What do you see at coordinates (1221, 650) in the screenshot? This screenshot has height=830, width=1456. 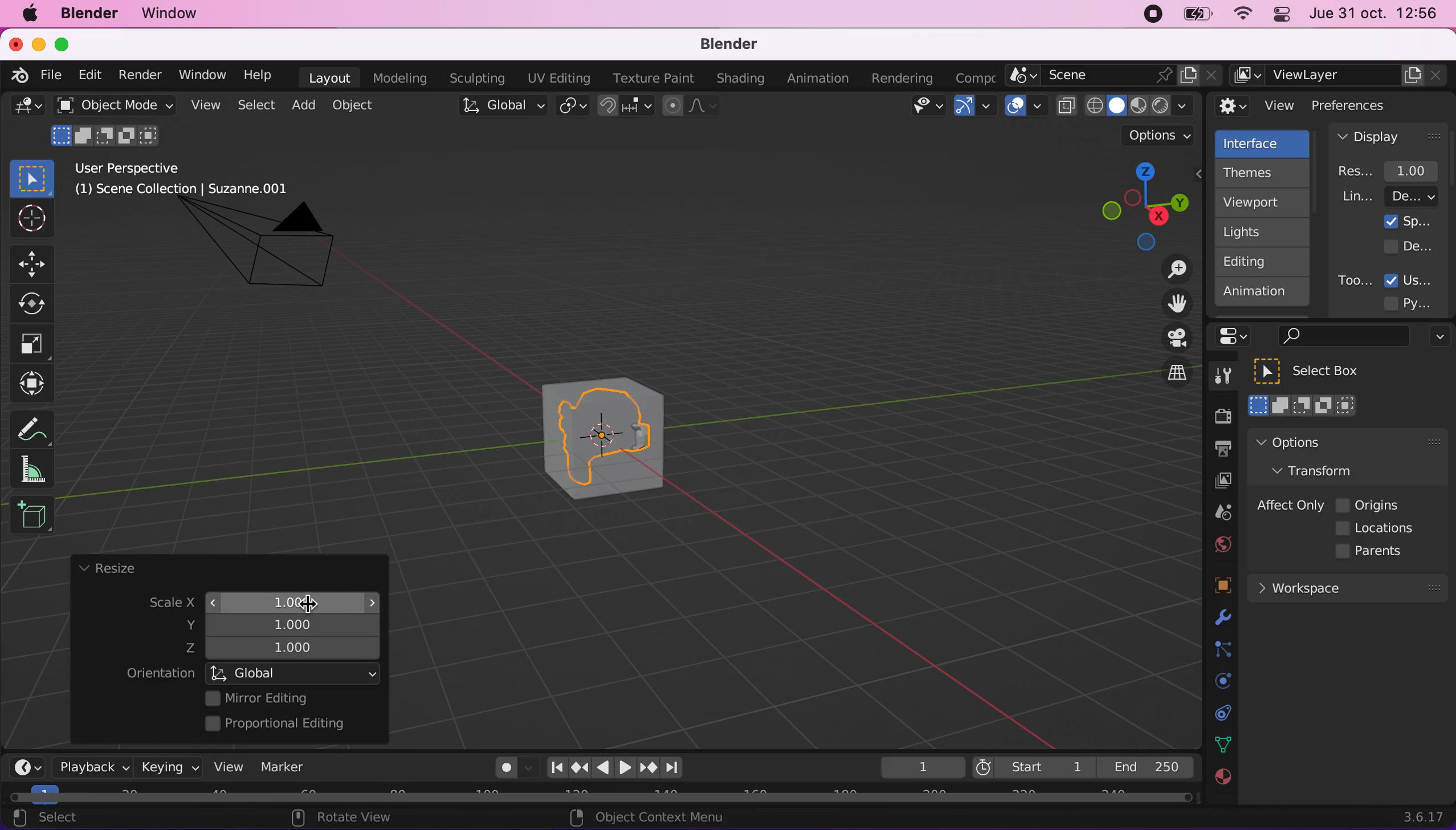 I see `constraints` at bounding box center [1221, 650].